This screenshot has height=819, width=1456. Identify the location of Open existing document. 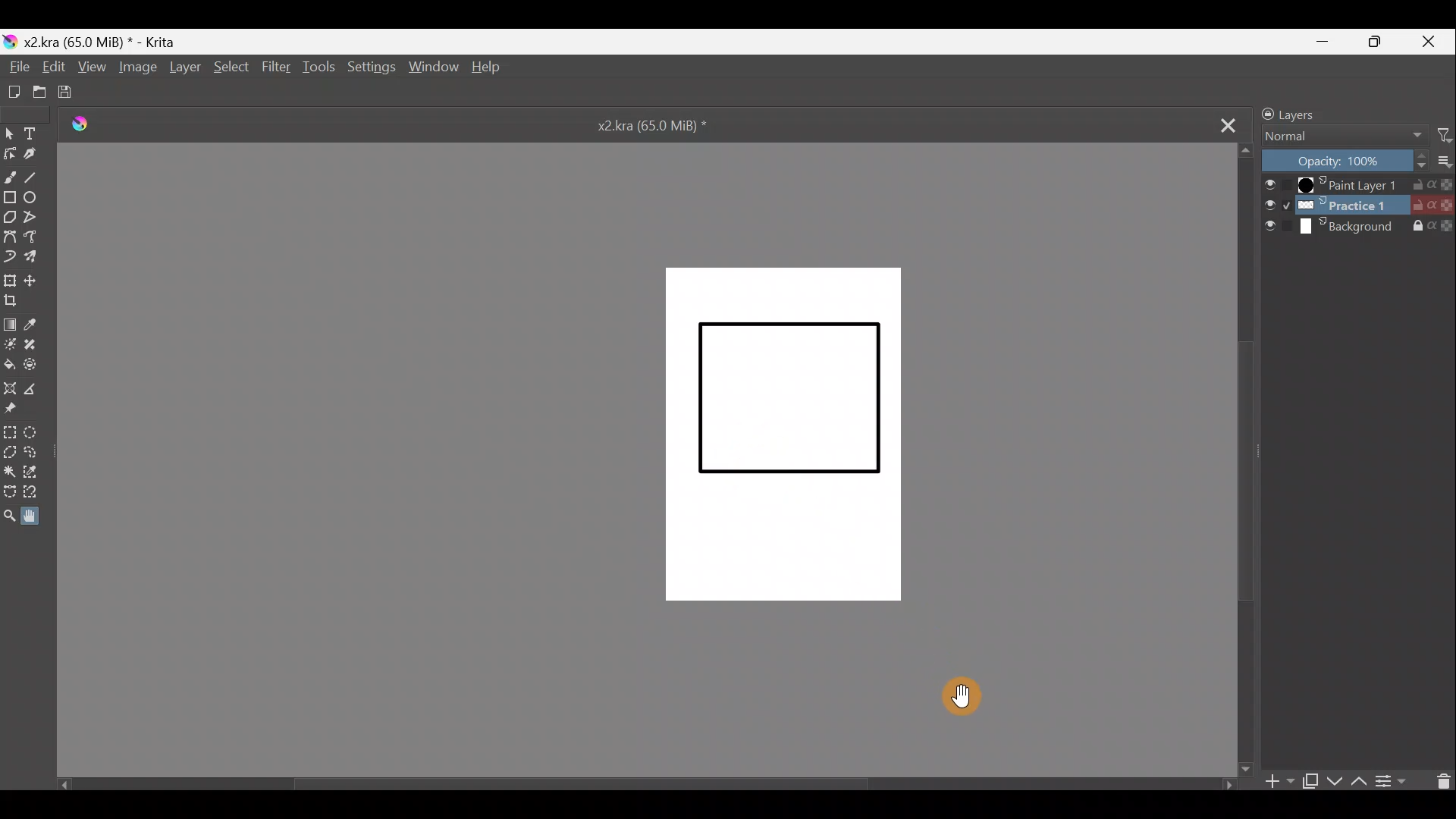
(40, 93).